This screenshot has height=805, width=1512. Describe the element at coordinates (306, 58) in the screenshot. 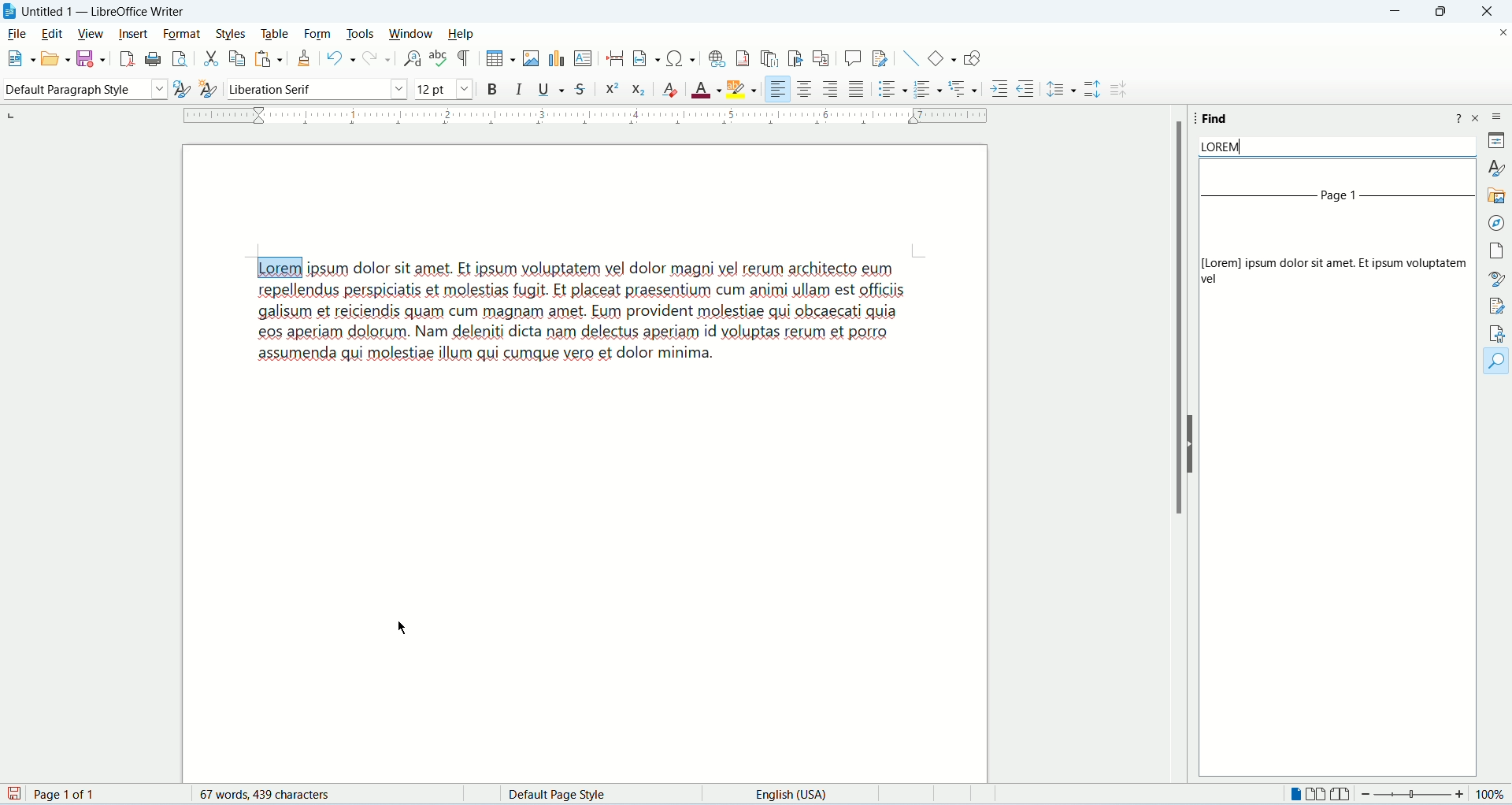

I see `clone formatting` at that location.